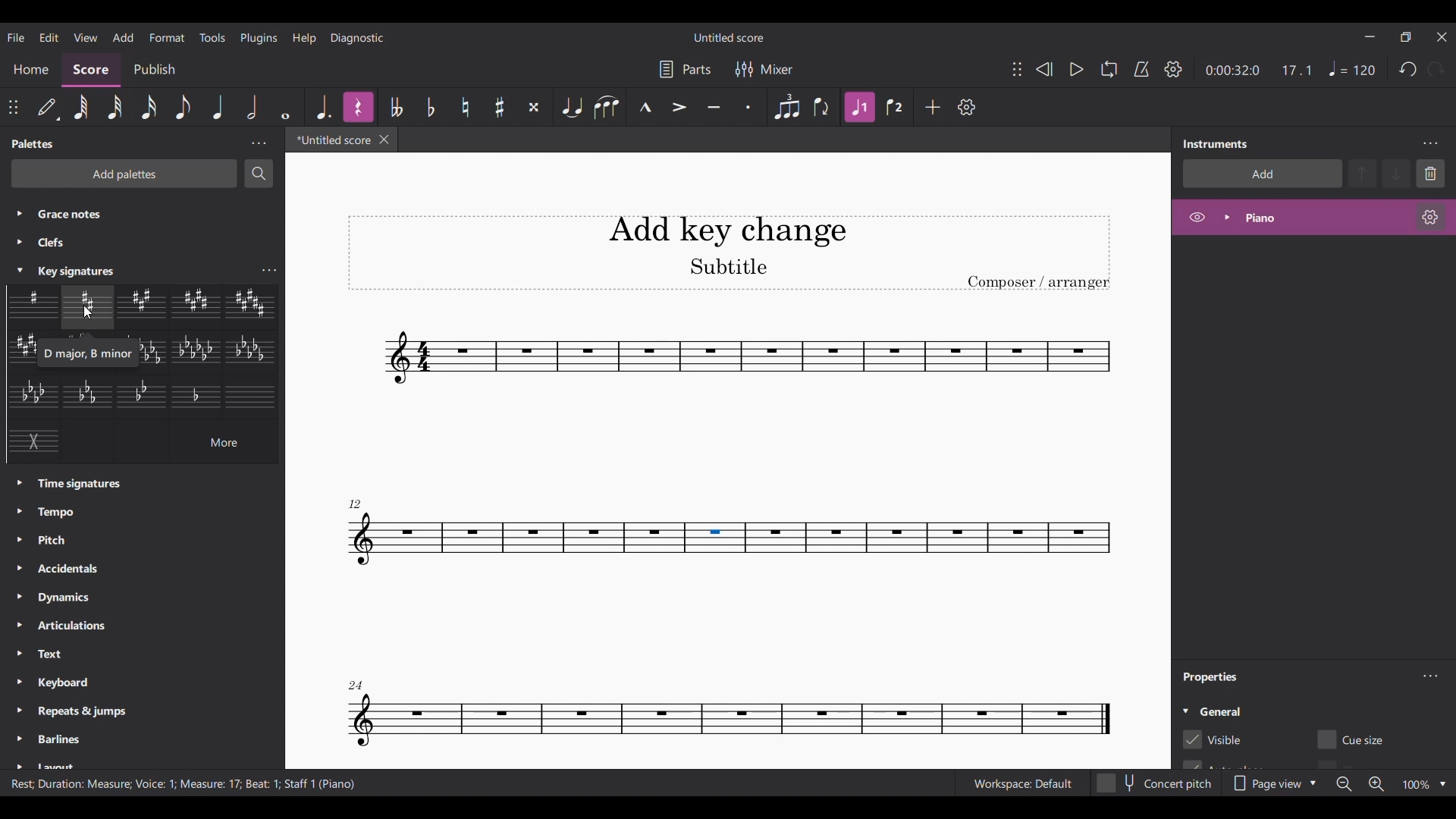  I want to click on Edit menu, so click(49, 37).